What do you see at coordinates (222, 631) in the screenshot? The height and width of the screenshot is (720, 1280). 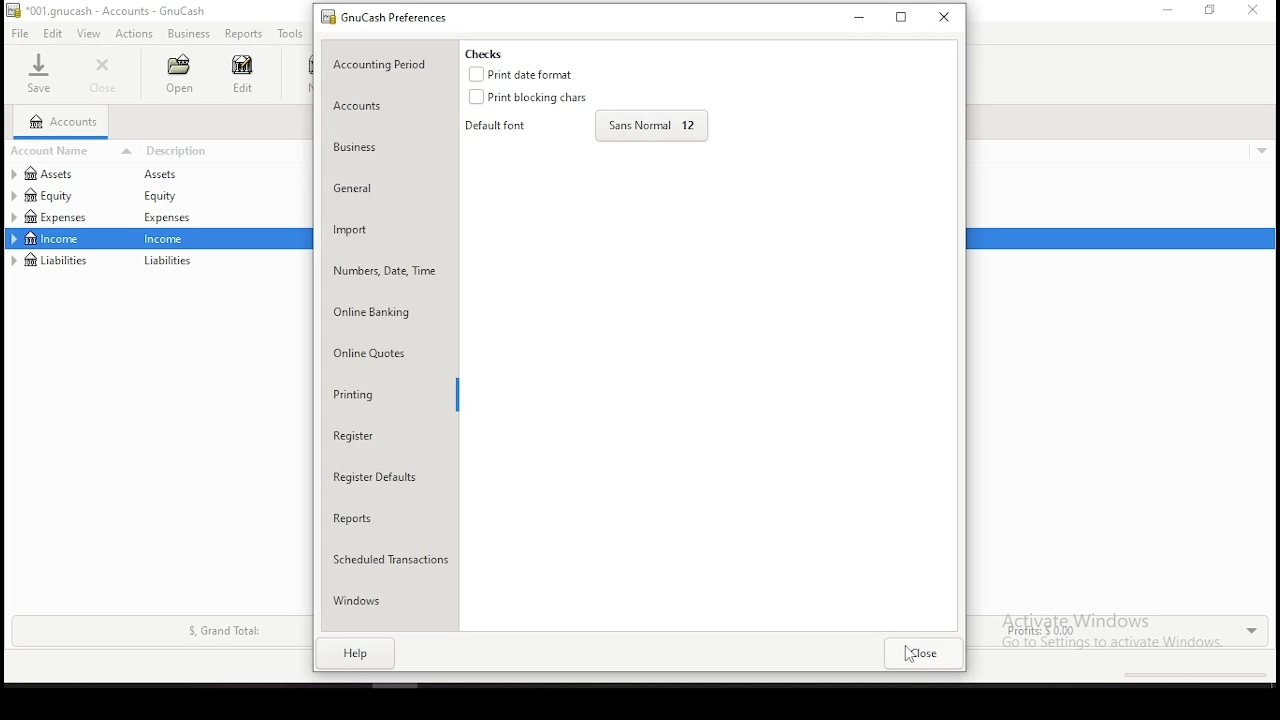 I see `S, Grand Total` at bounding box center [222, 631].